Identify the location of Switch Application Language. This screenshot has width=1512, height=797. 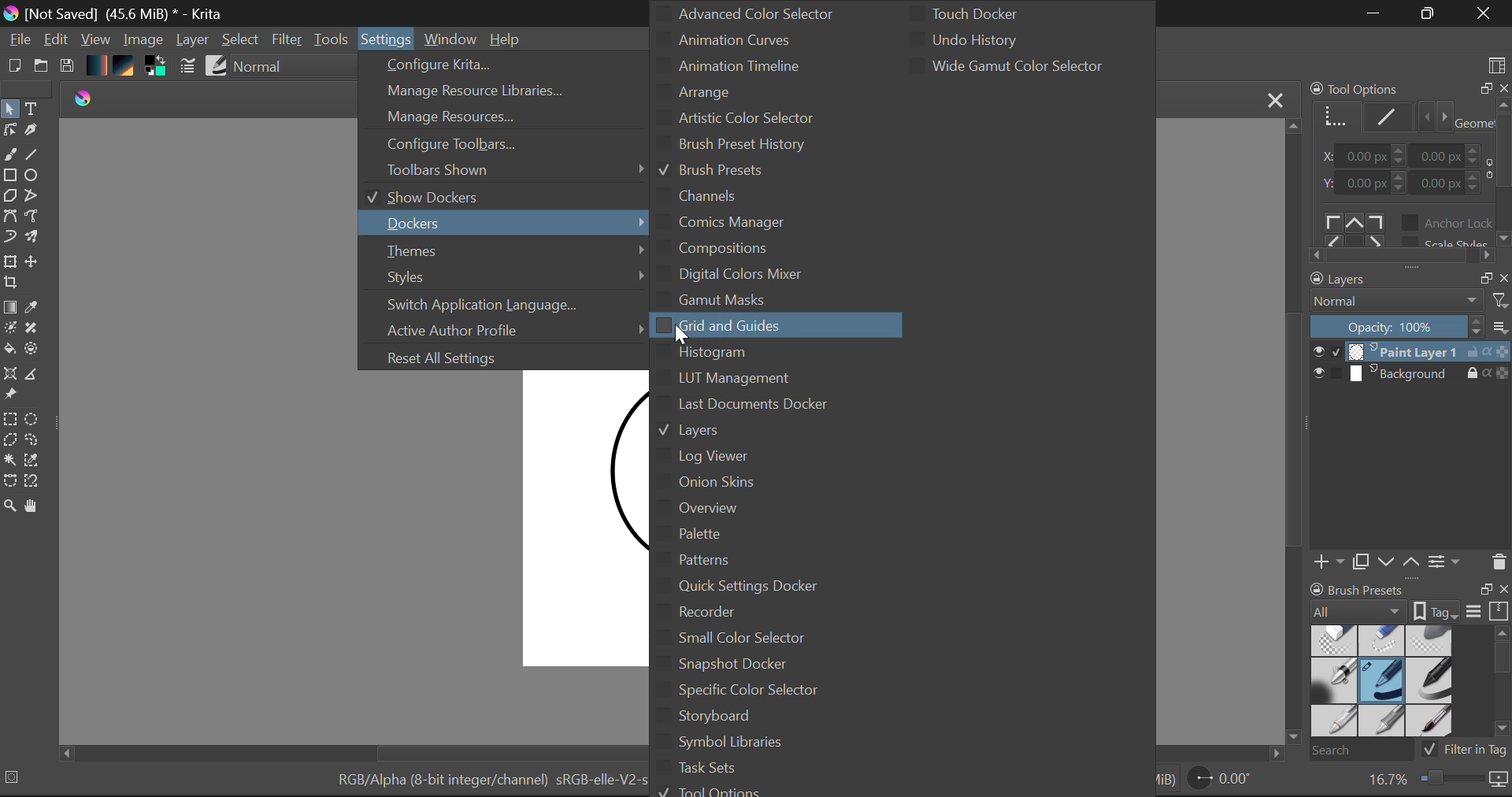
(506, 306).